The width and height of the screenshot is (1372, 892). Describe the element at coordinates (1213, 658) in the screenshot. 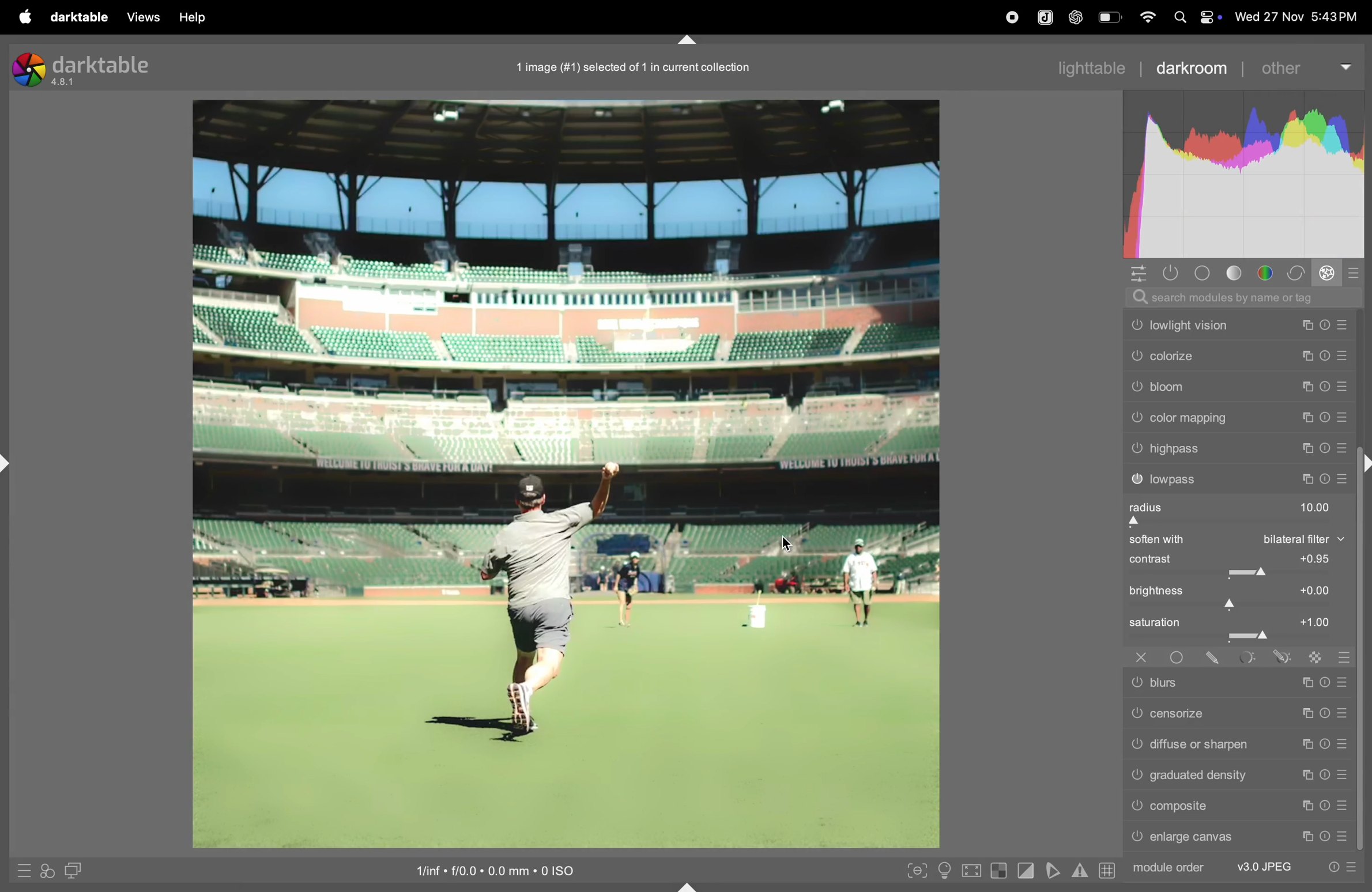

I see `drawn mask` at that location.